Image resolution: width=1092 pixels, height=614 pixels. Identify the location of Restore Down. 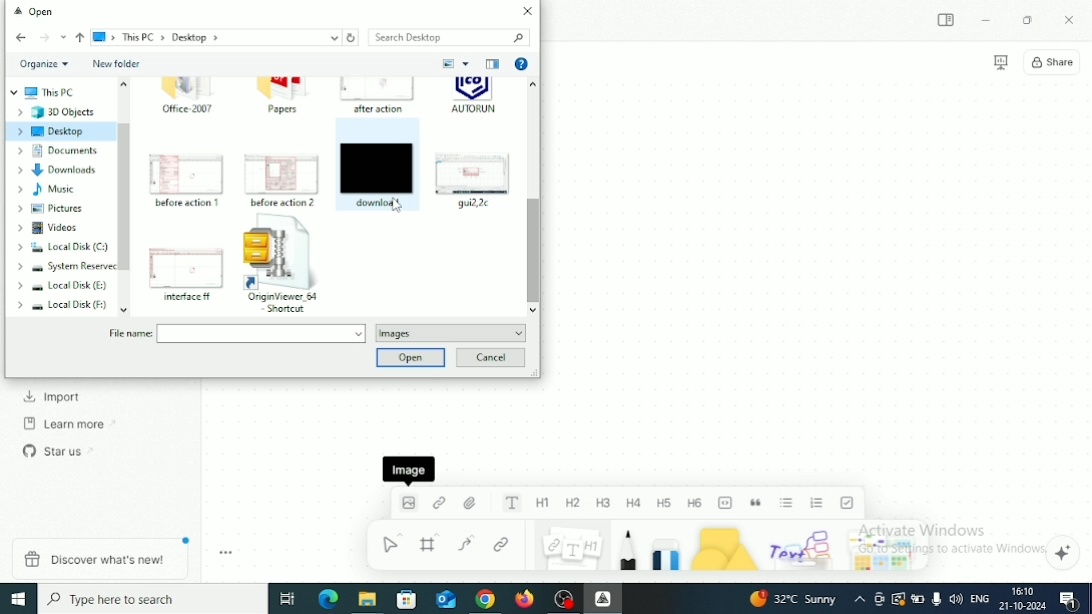
(1026, 21).